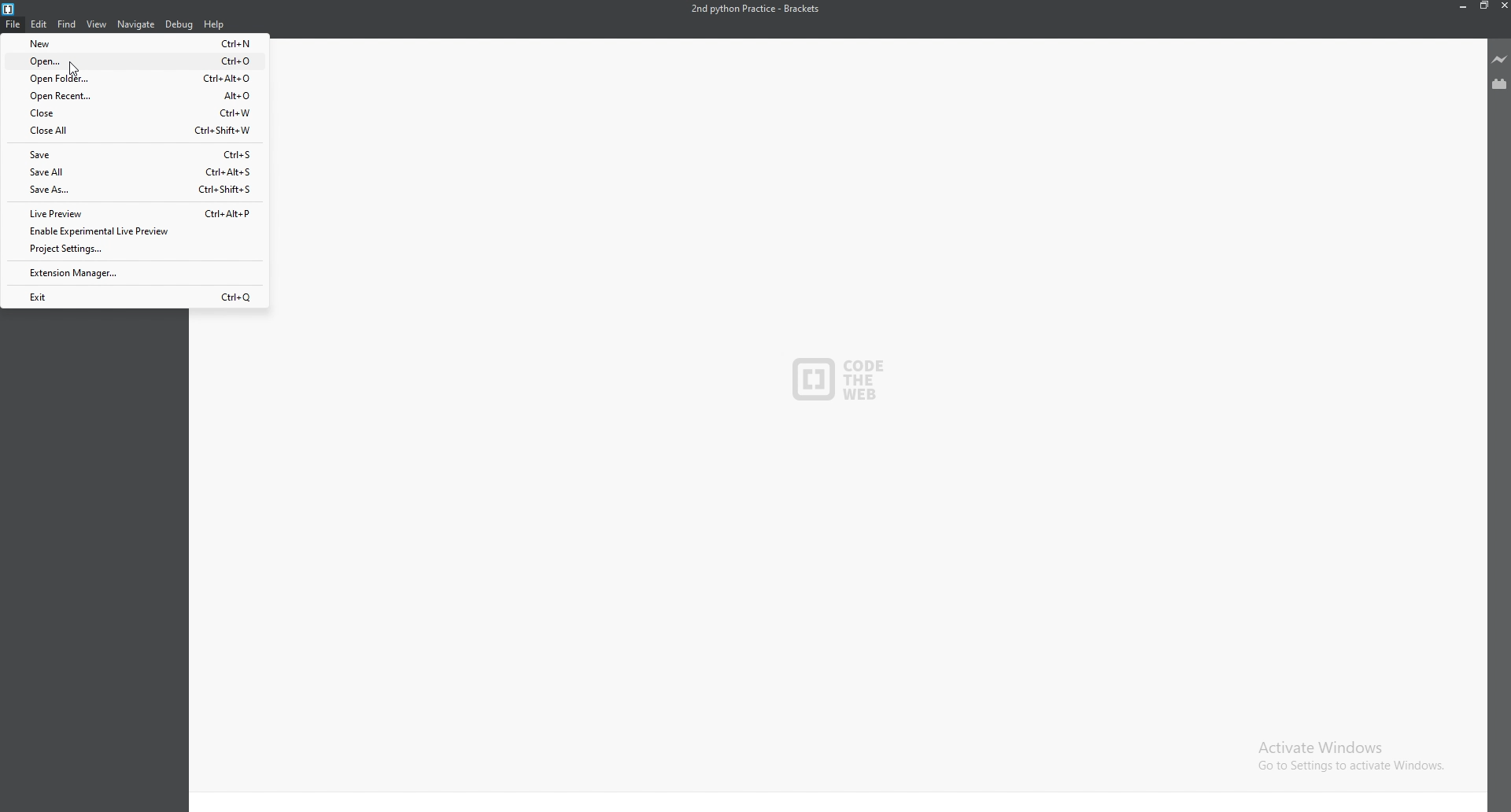 The height and width of the screenshot is (812, 1511). I want to click on live preview, so click(134, 213).